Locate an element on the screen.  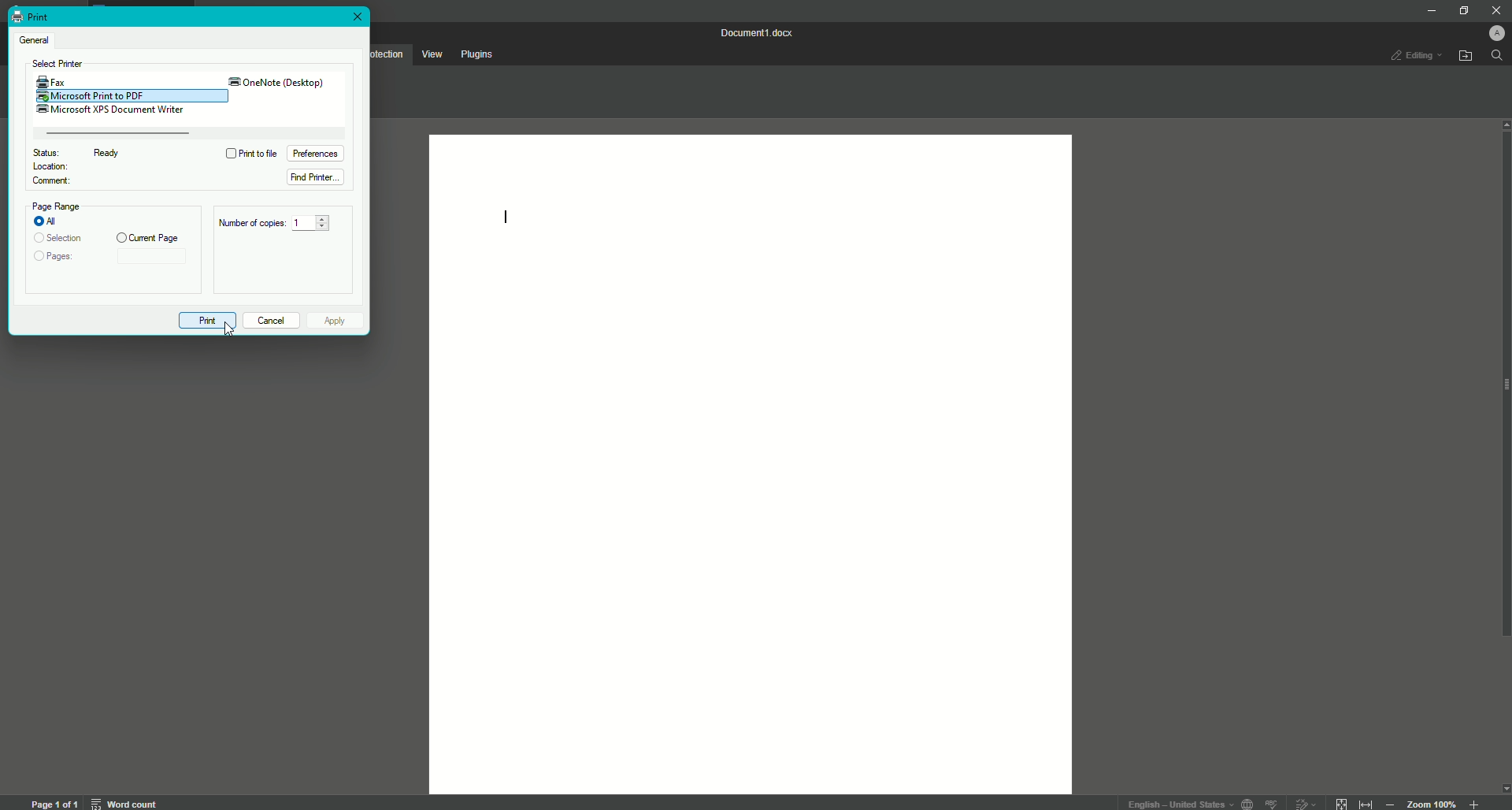
Zoom out is located at coordinates (1390, 803).